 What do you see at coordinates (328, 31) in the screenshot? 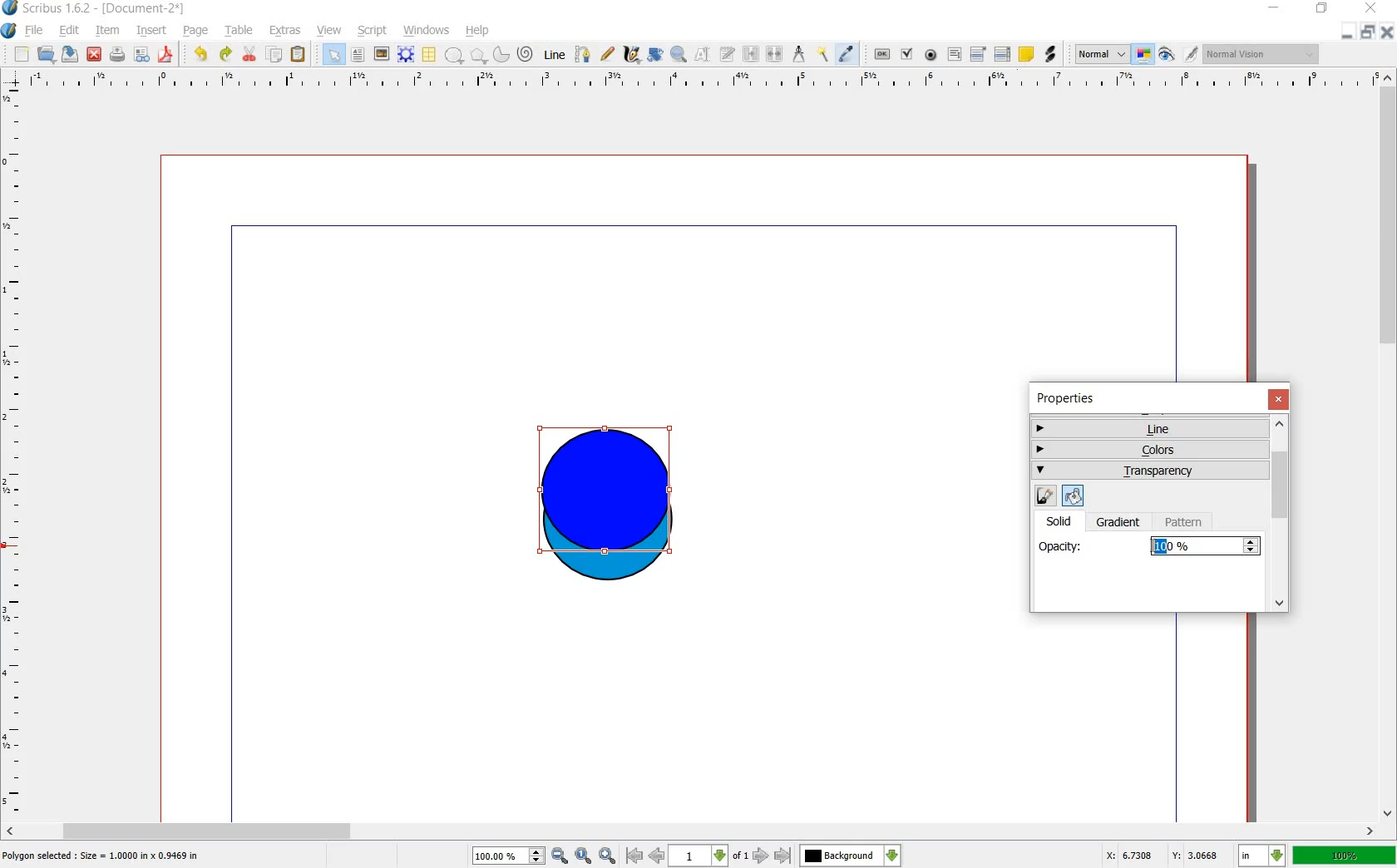
I see `view` at bounding box center [328, 31].